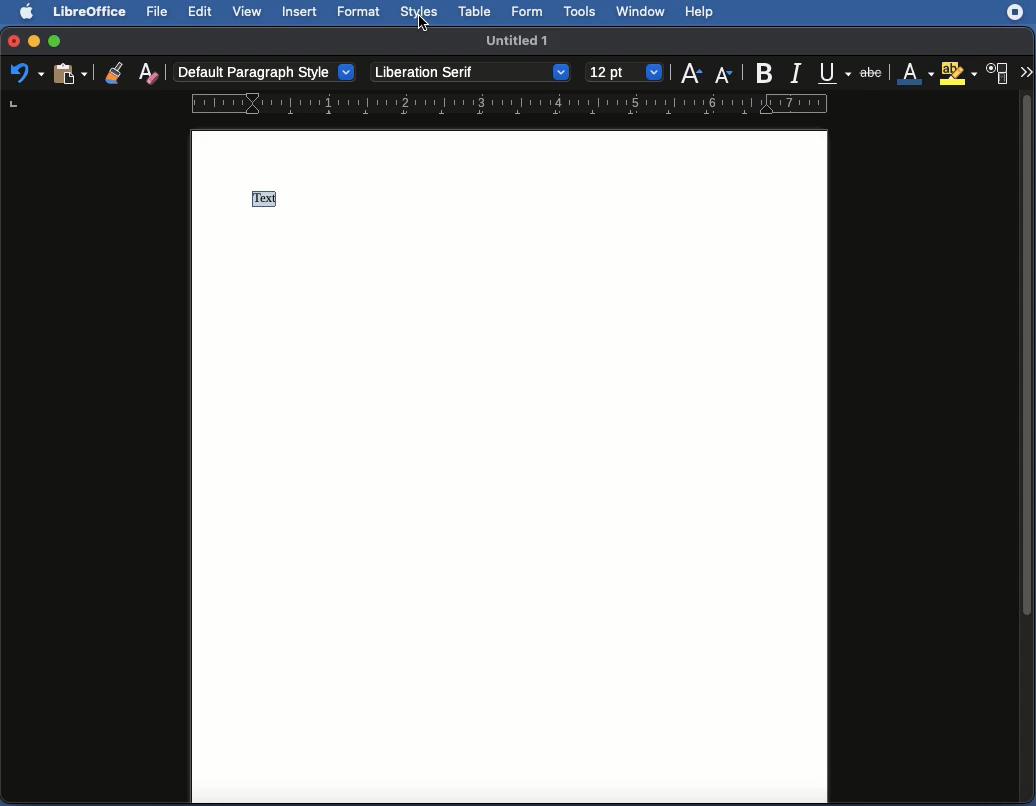 This screenshot has width=1036, height=806. What do you see at coordinates (1028, 449) in the screenshot?
I see `Scroll` at bounding box center [1028, 449].